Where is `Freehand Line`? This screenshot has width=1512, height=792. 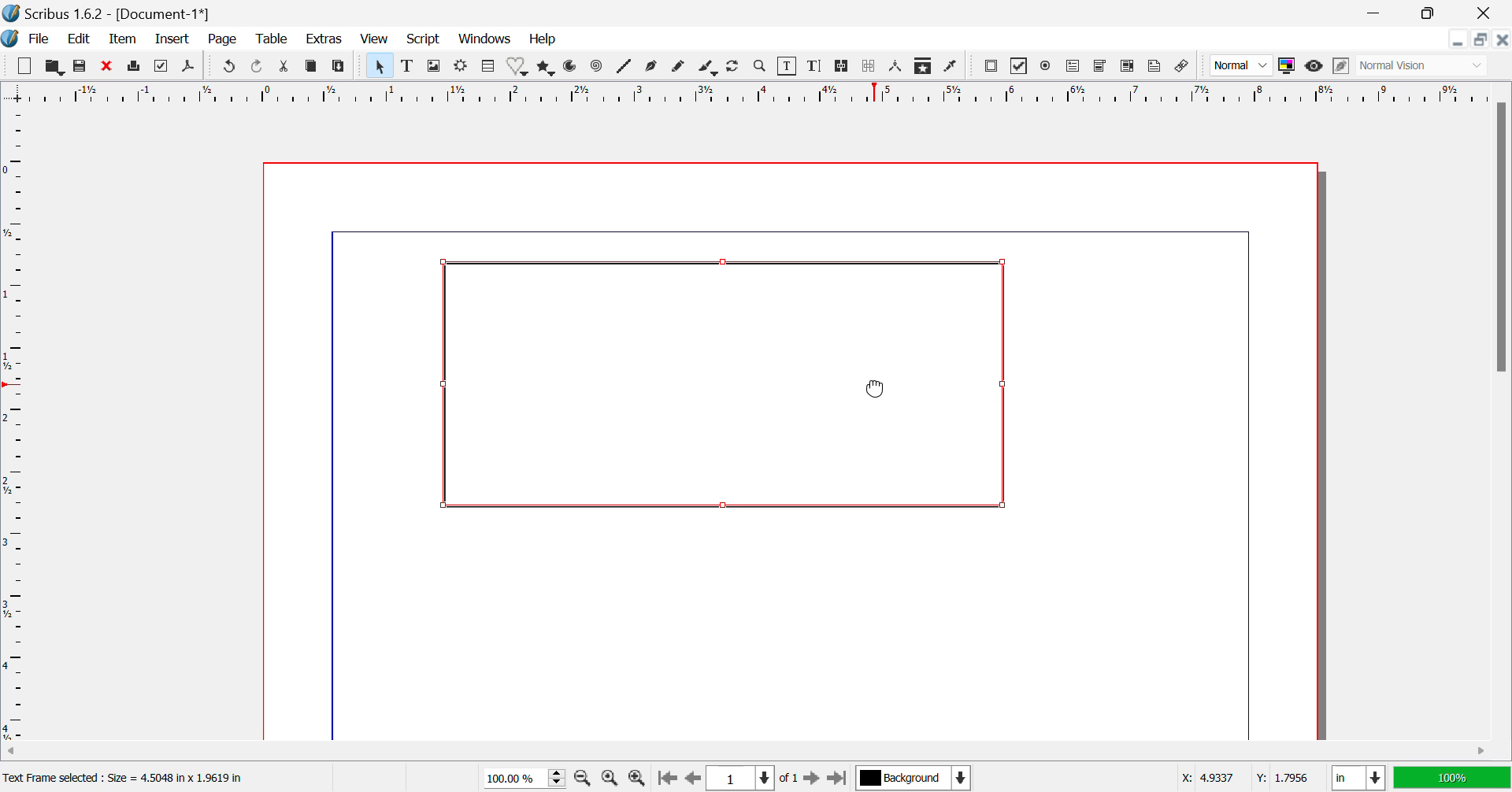
Freehand Line is located at coordinates (679, 69).